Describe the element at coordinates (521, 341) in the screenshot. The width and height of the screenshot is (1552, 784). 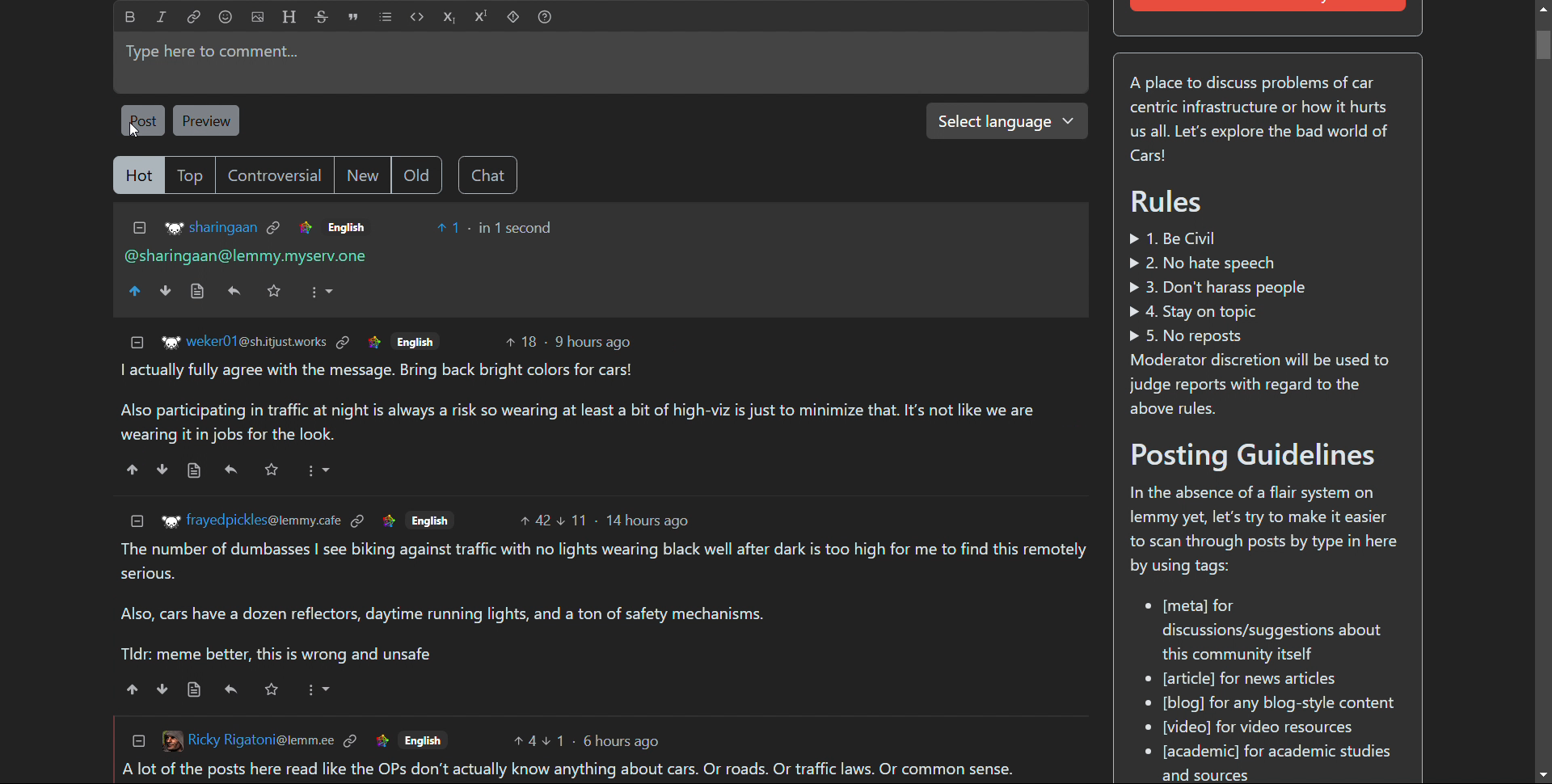
I see `upvotes 18` at that location.